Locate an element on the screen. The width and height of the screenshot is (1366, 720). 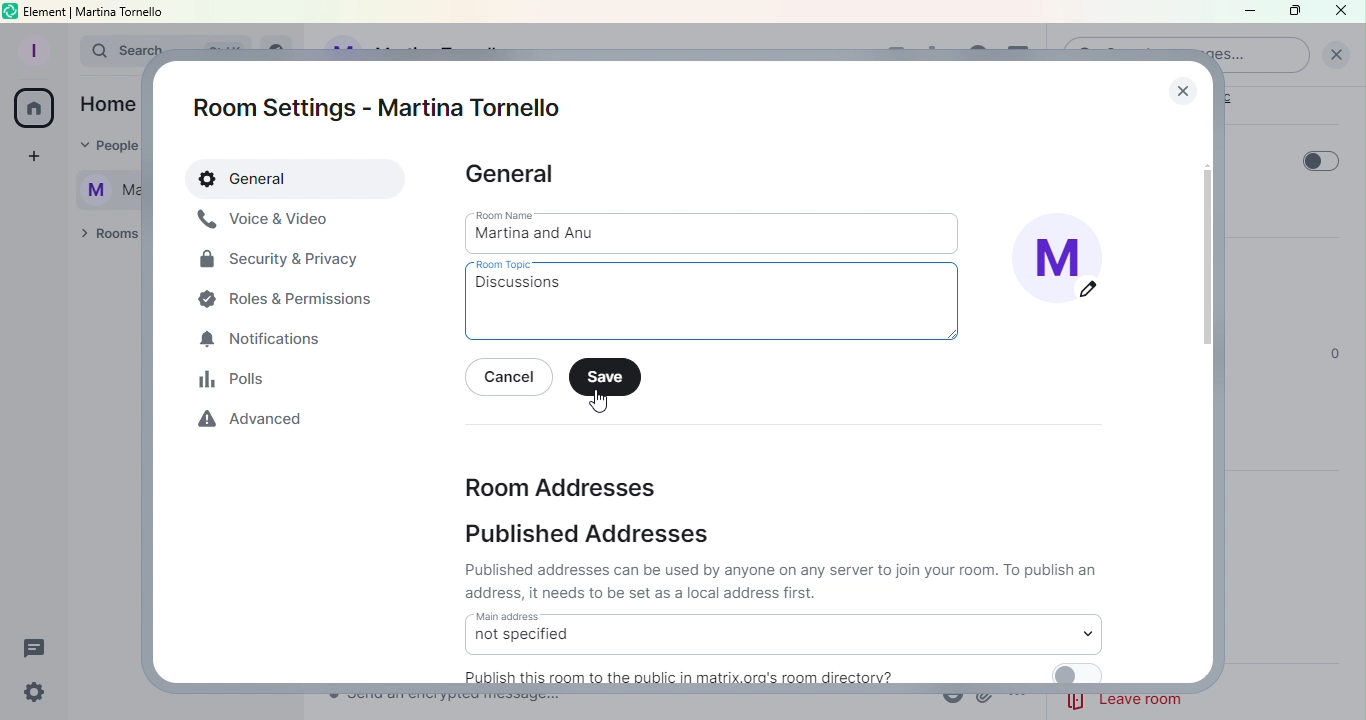
General is located at coordinates (513, 175).